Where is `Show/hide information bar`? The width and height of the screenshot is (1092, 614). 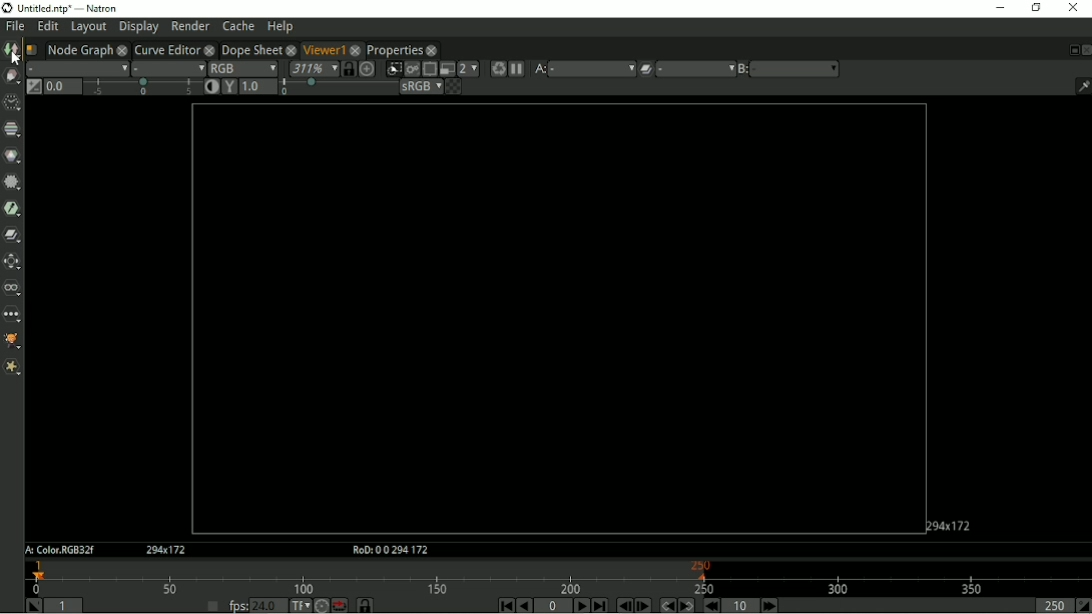 Show/hide information bar is located at coordinates (1082, 86).